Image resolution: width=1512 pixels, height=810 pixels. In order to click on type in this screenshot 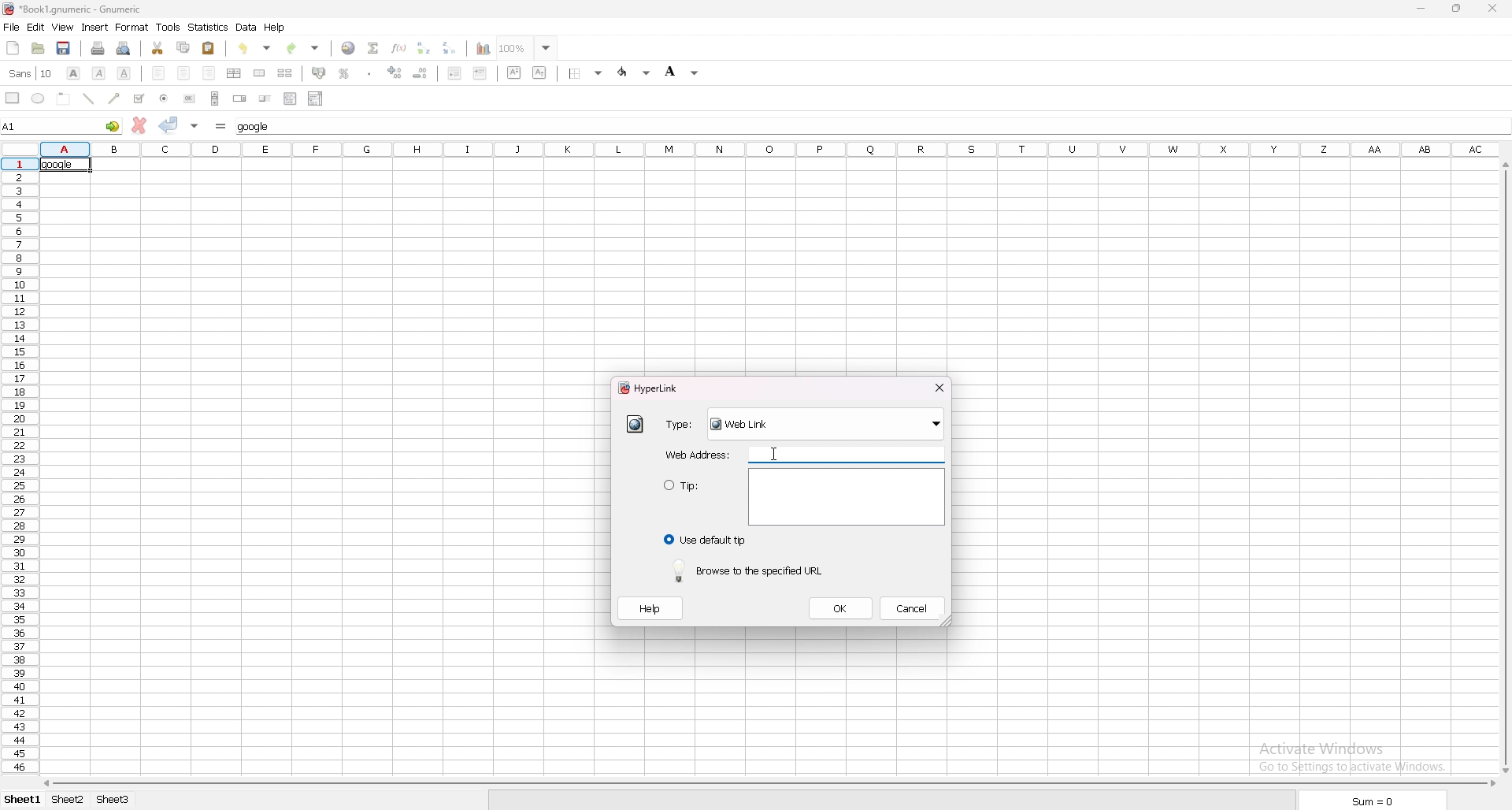, I will do `click(685, 424)`.